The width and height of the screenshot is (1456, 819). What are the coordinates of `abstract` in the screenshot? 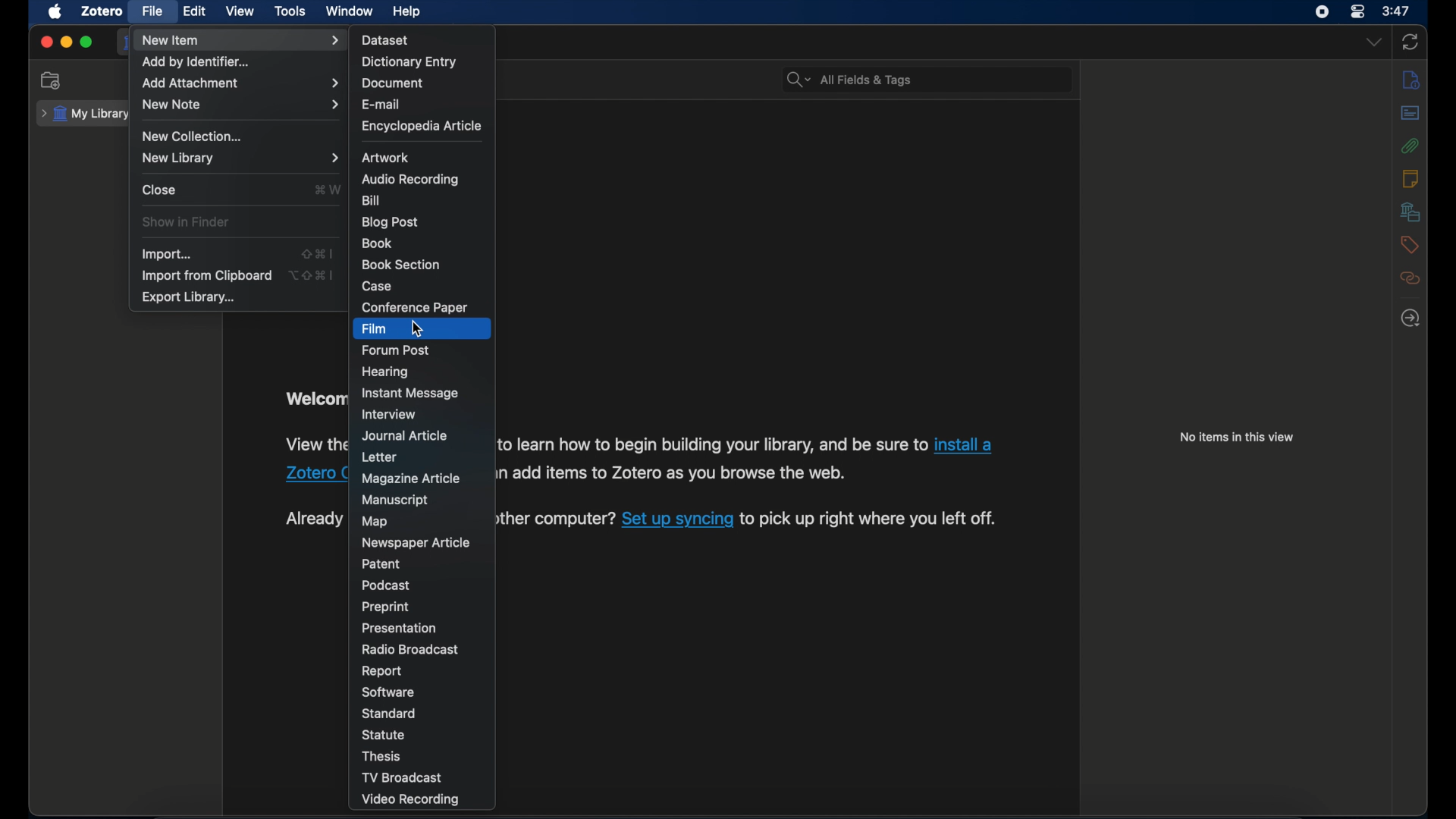 It's located at (1411, 113).